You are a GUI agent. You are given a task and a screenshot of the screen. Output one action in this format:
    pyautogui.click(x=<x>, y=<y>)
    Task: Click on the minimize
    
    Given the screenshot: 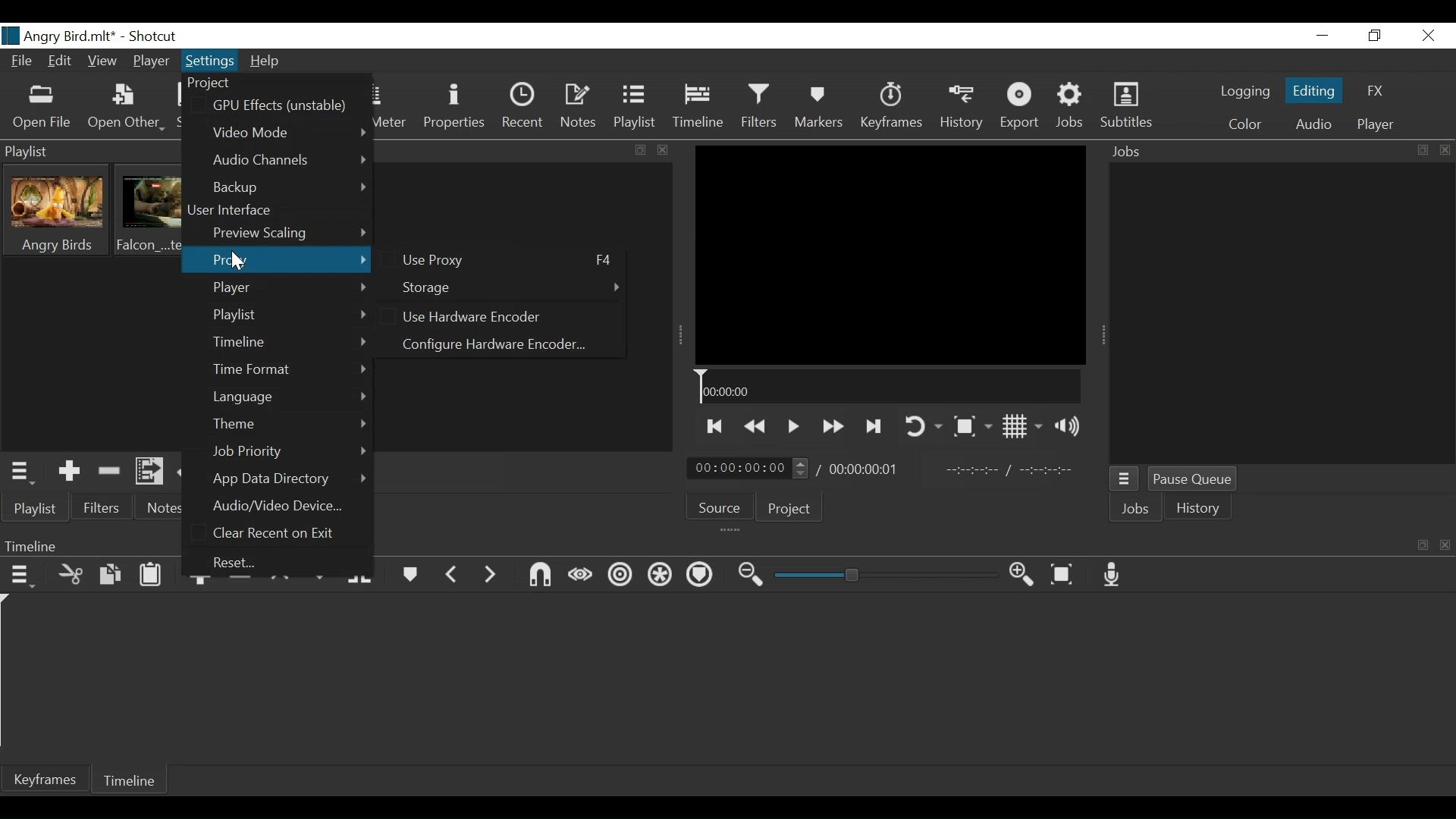 What is the action you would take?
    pyautogui.click(x=1321, y=36)
    